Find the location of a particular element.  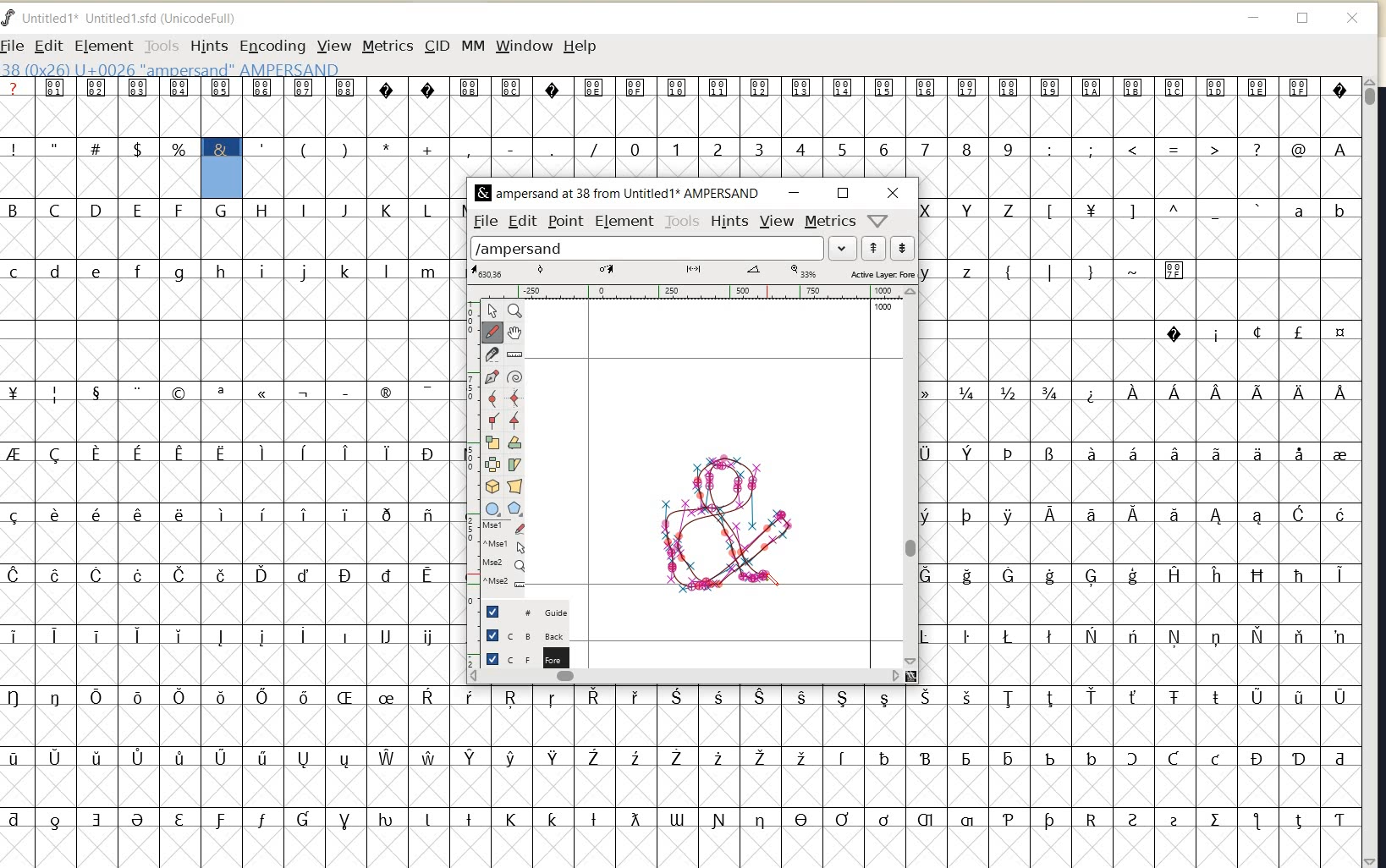

BACKGROUND is located at coordinates (517, 635).